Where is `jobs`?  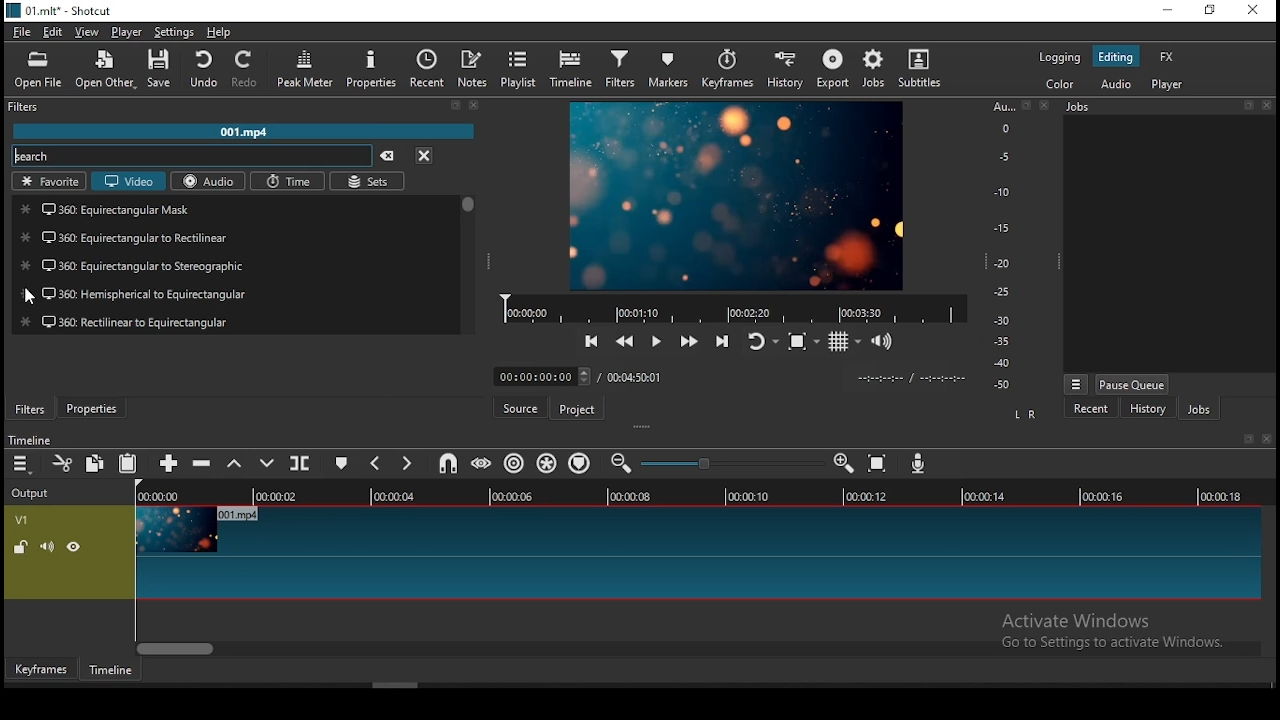 jobs is located at coordinates (1196, 408).